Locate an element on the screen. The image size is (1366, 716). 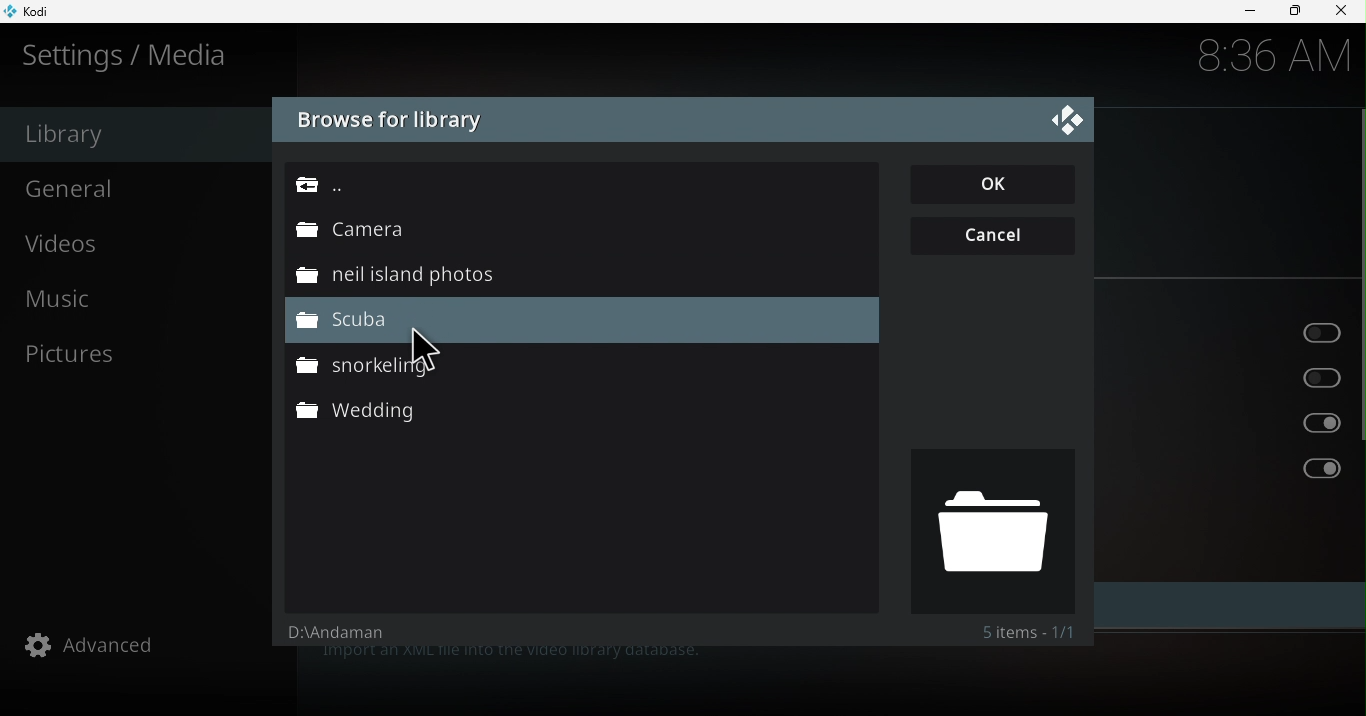
Items is located at coordinates (1027, 632).